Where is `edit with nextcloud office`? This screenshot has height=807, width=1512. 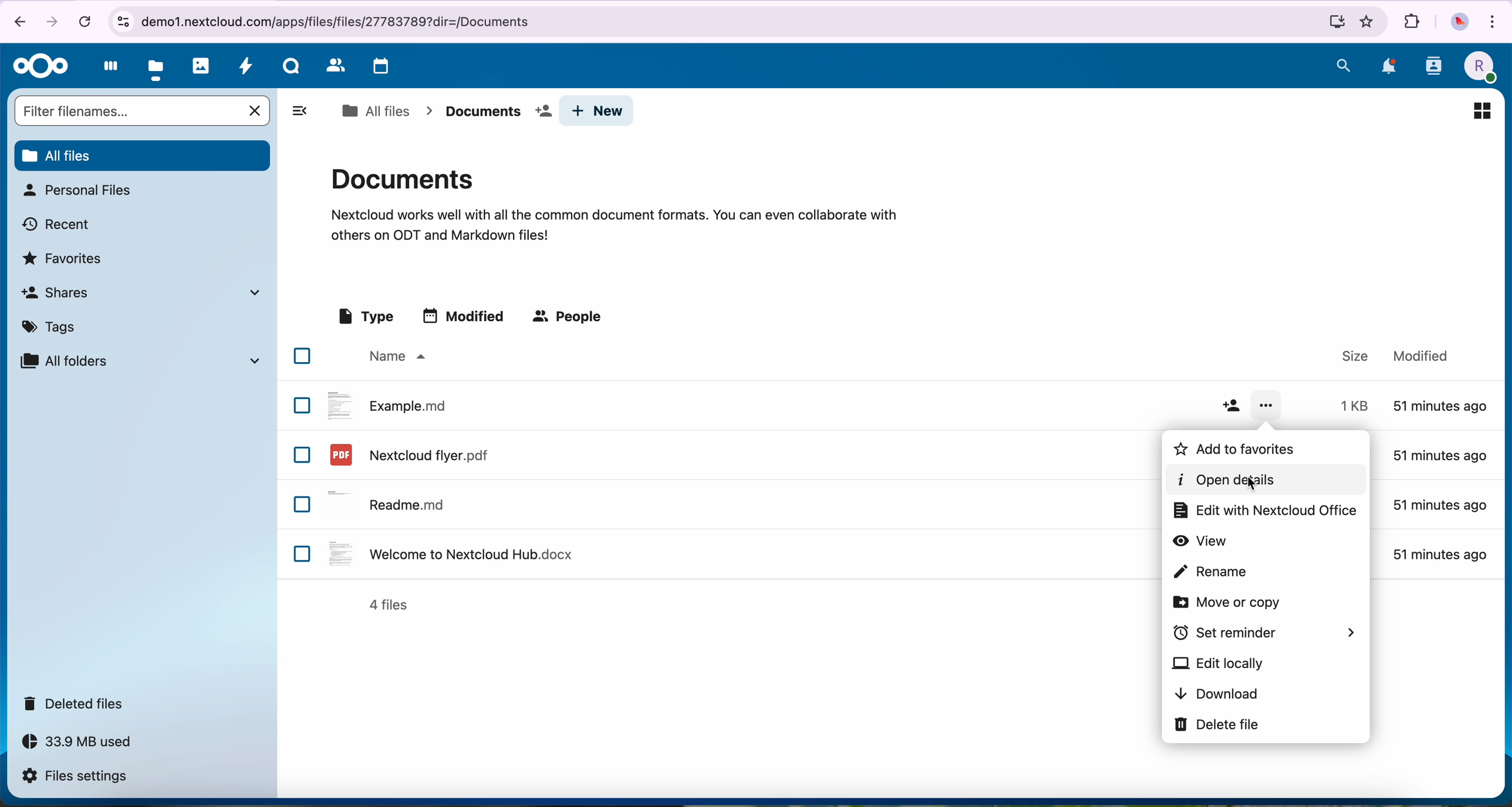 edit with nextcloud office is located at coordinates (1263, 509).